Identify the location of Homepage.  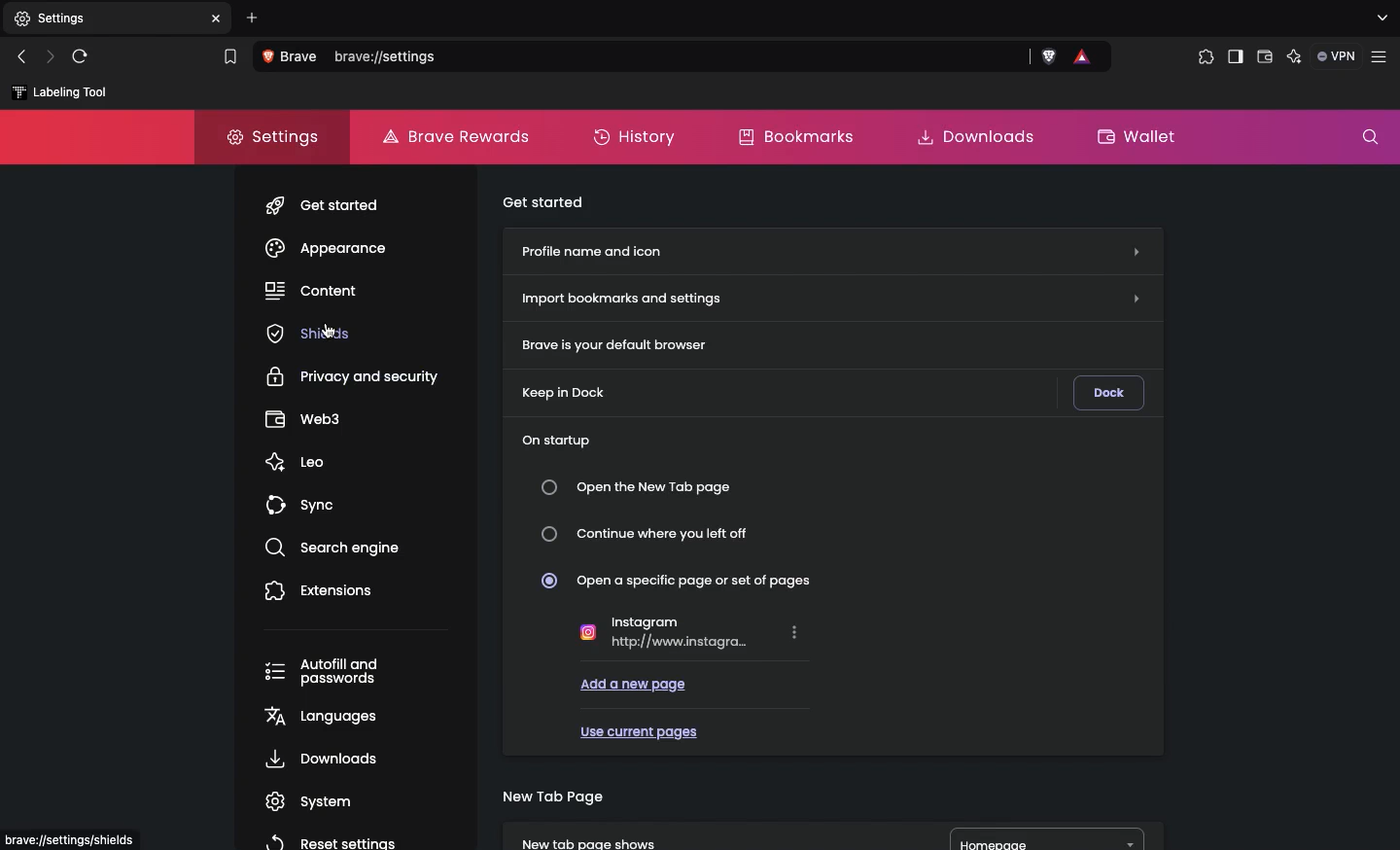
(1048, 838).